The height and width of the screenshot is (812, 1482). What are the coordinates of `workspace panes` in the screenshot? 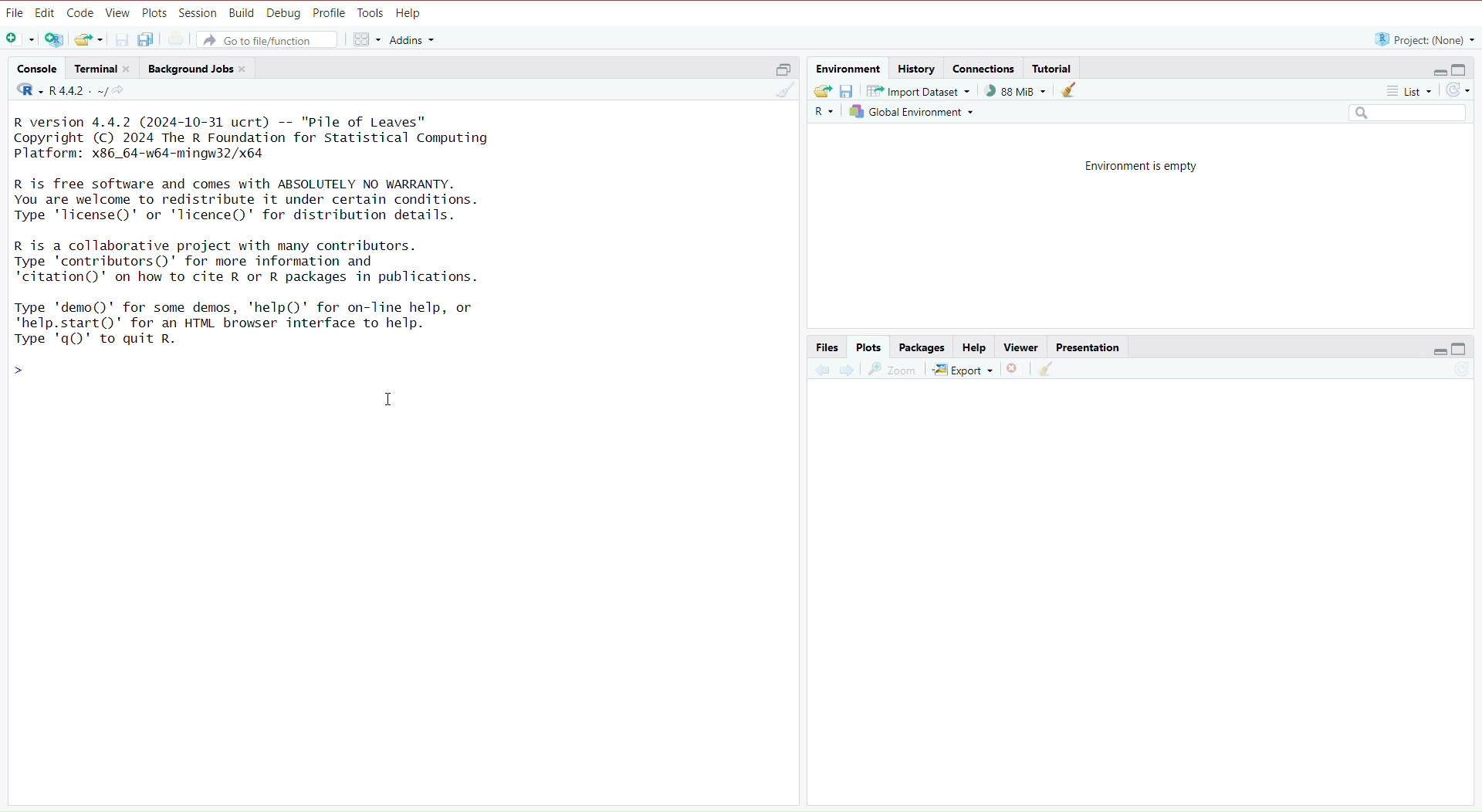 It's located at (365, 40).